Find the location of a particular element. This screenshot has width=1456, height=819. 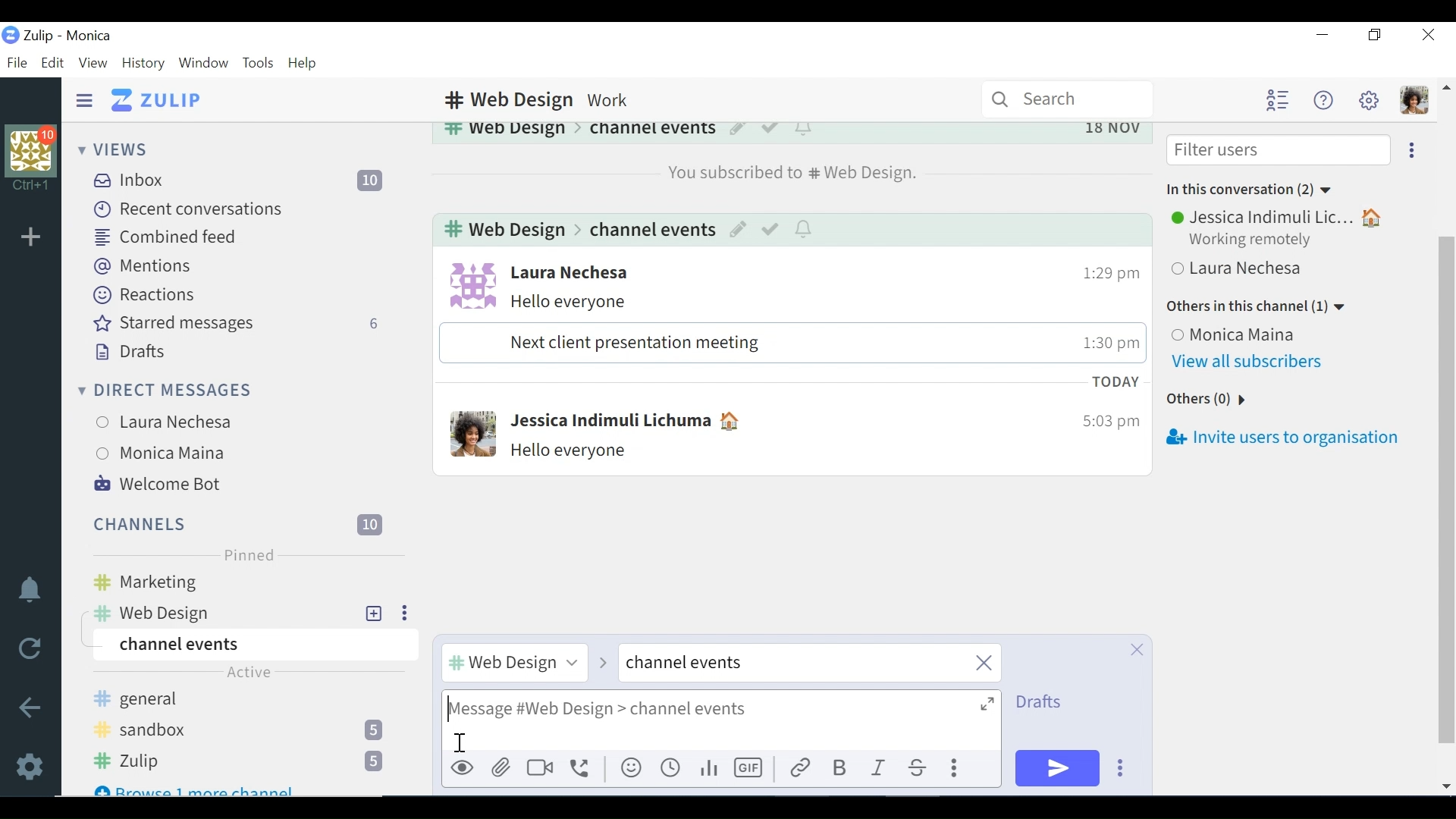

message is located at coordinates (574, 303).